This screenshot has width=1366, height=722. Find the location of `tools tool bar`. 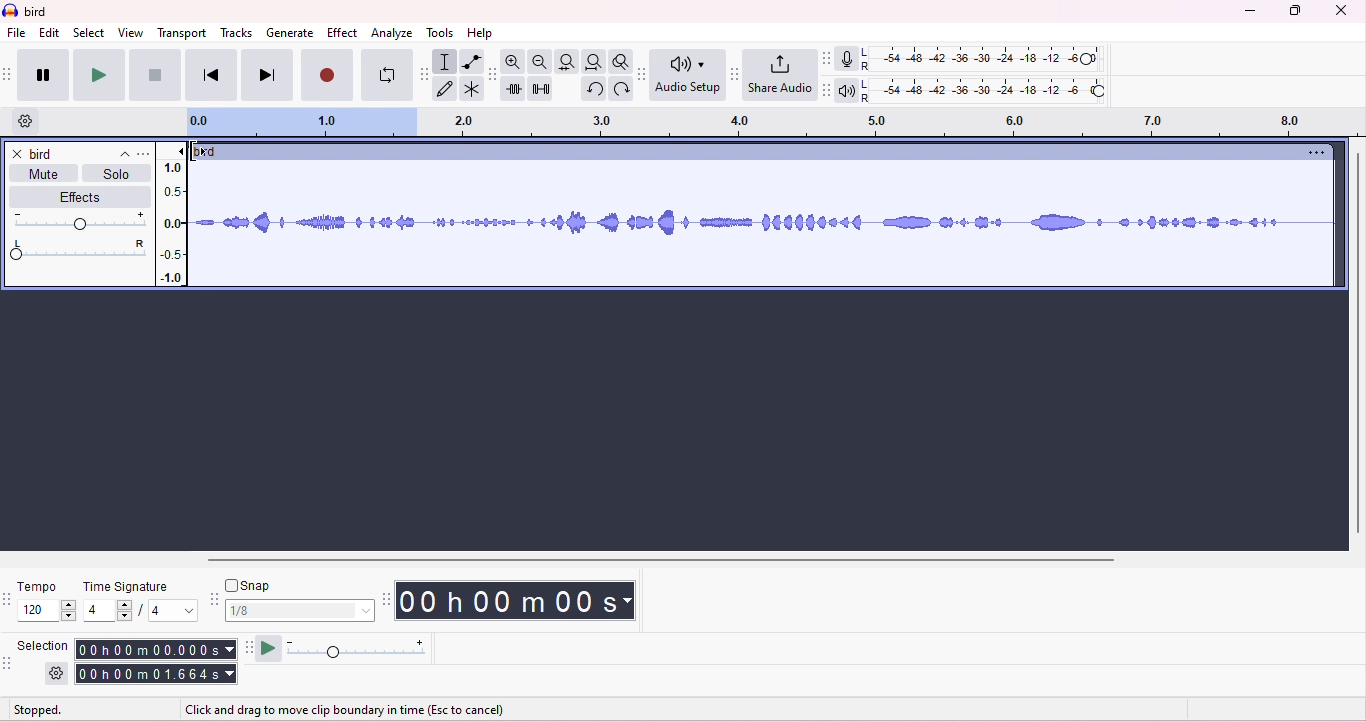

tools tool bar is located at coordinates (422, 73).